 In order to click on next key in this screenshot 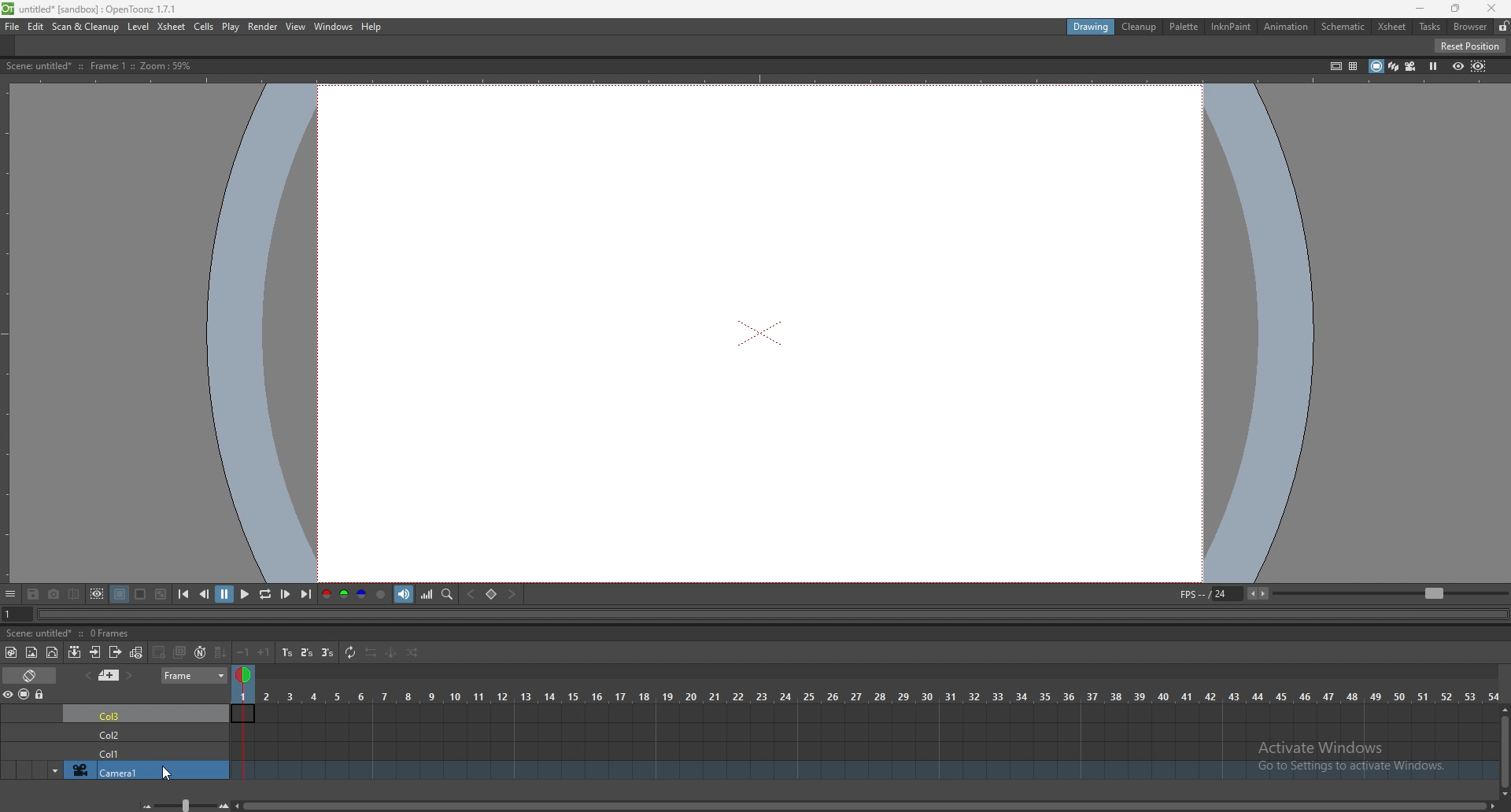, I will do `click(513, 594)`.